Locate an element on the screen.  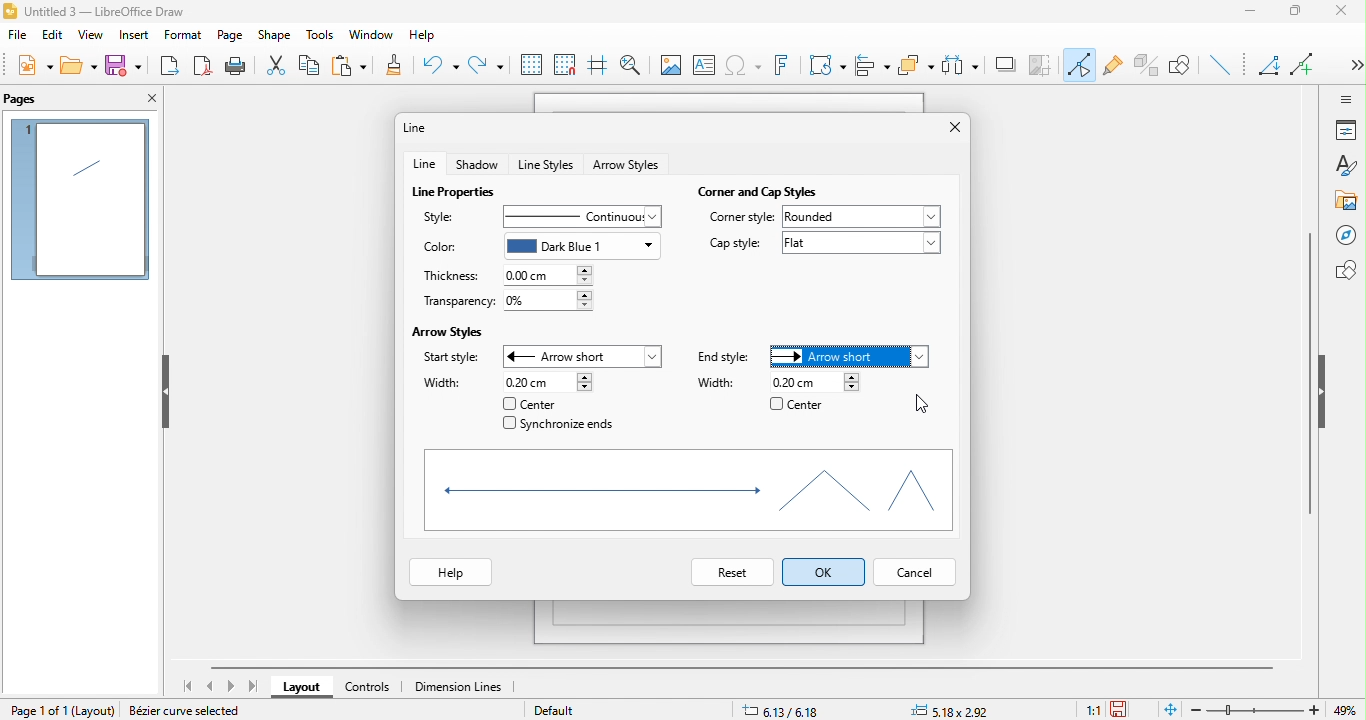
toggle extrusion is located at coordinates (1147, 64).